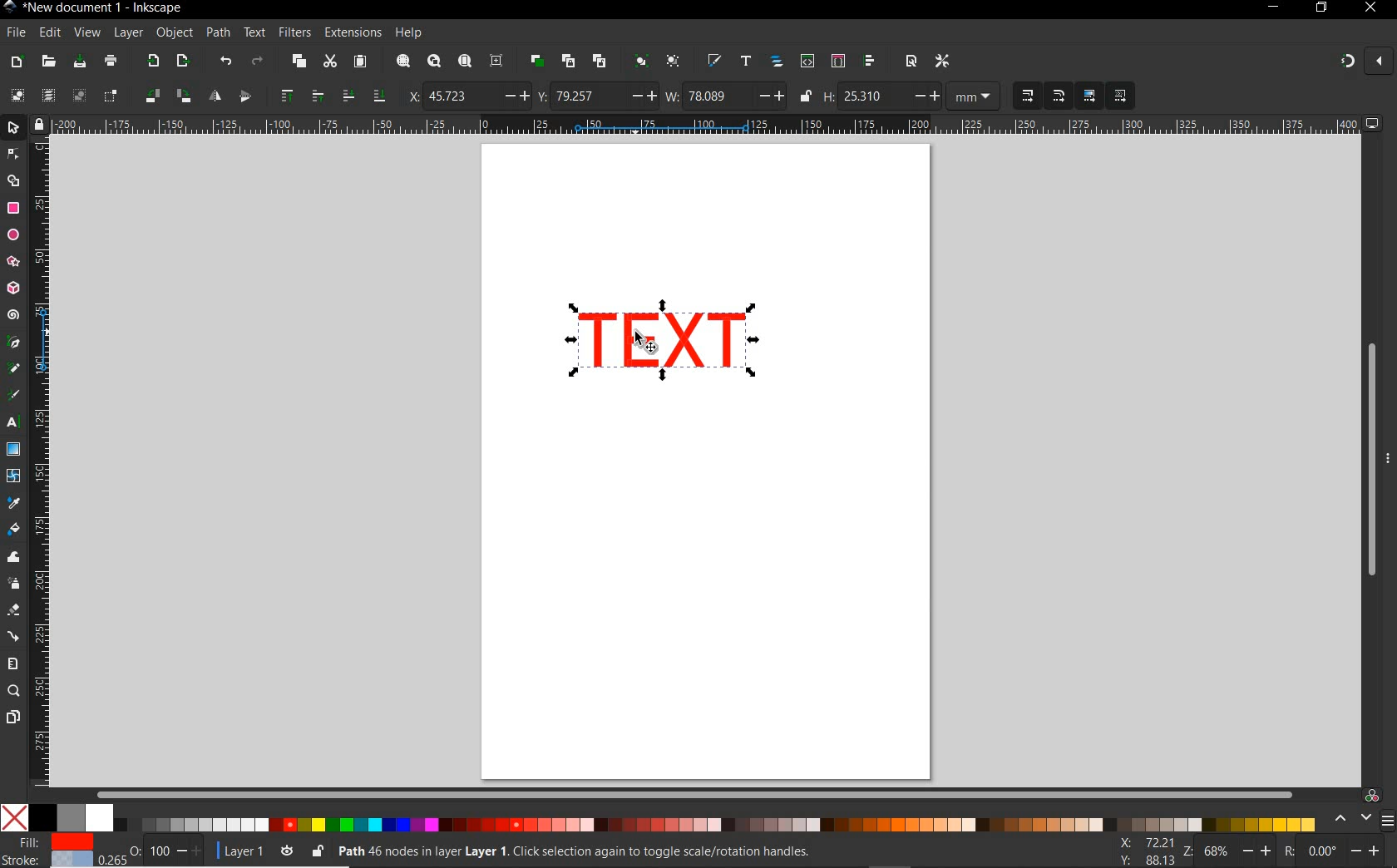 The image size is (1397, 868). I want to click on PAINT BUCKET TOOL, so click(13, 530).